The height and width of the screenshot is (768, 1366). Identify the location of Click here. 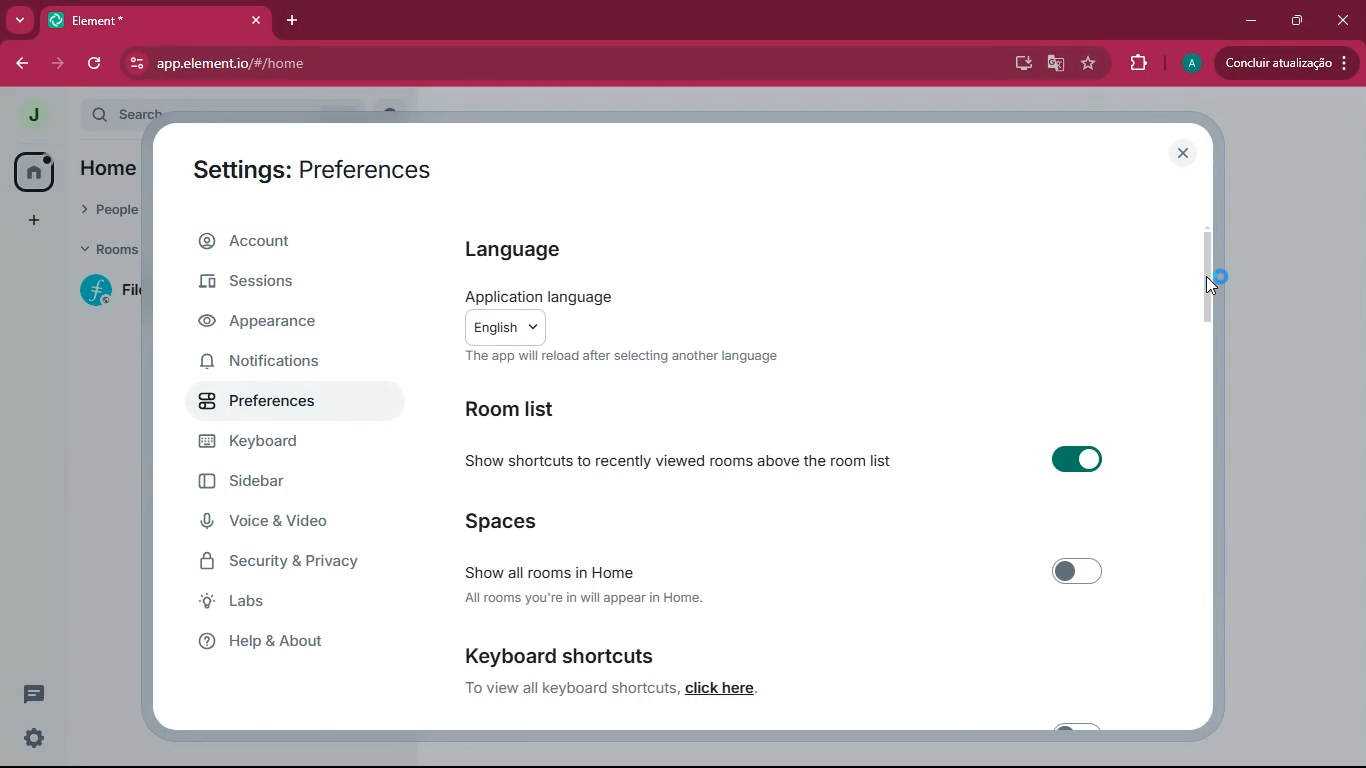
(737, 687).